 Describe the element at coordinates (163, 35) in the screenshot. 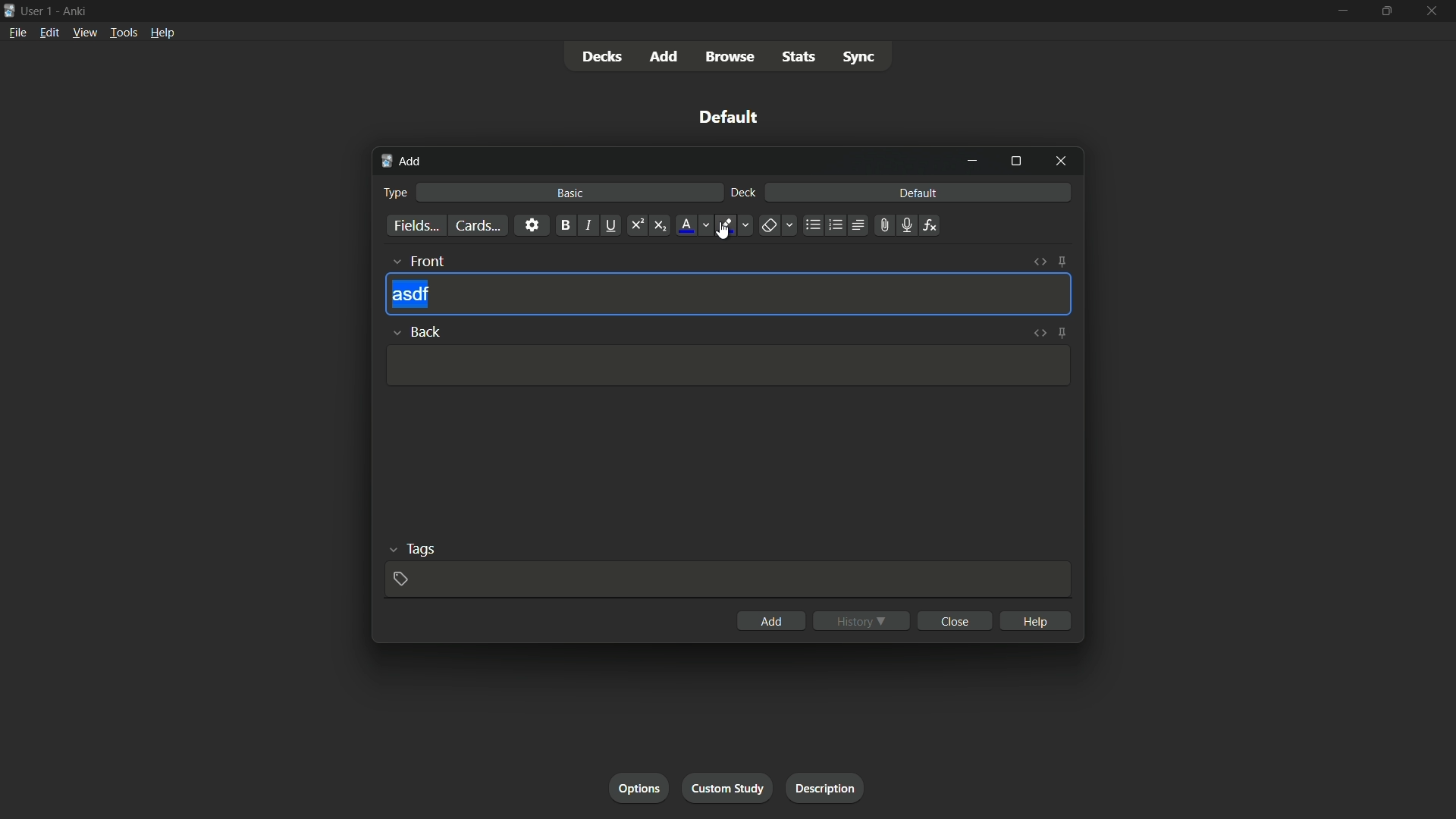

I see `help` at that location.